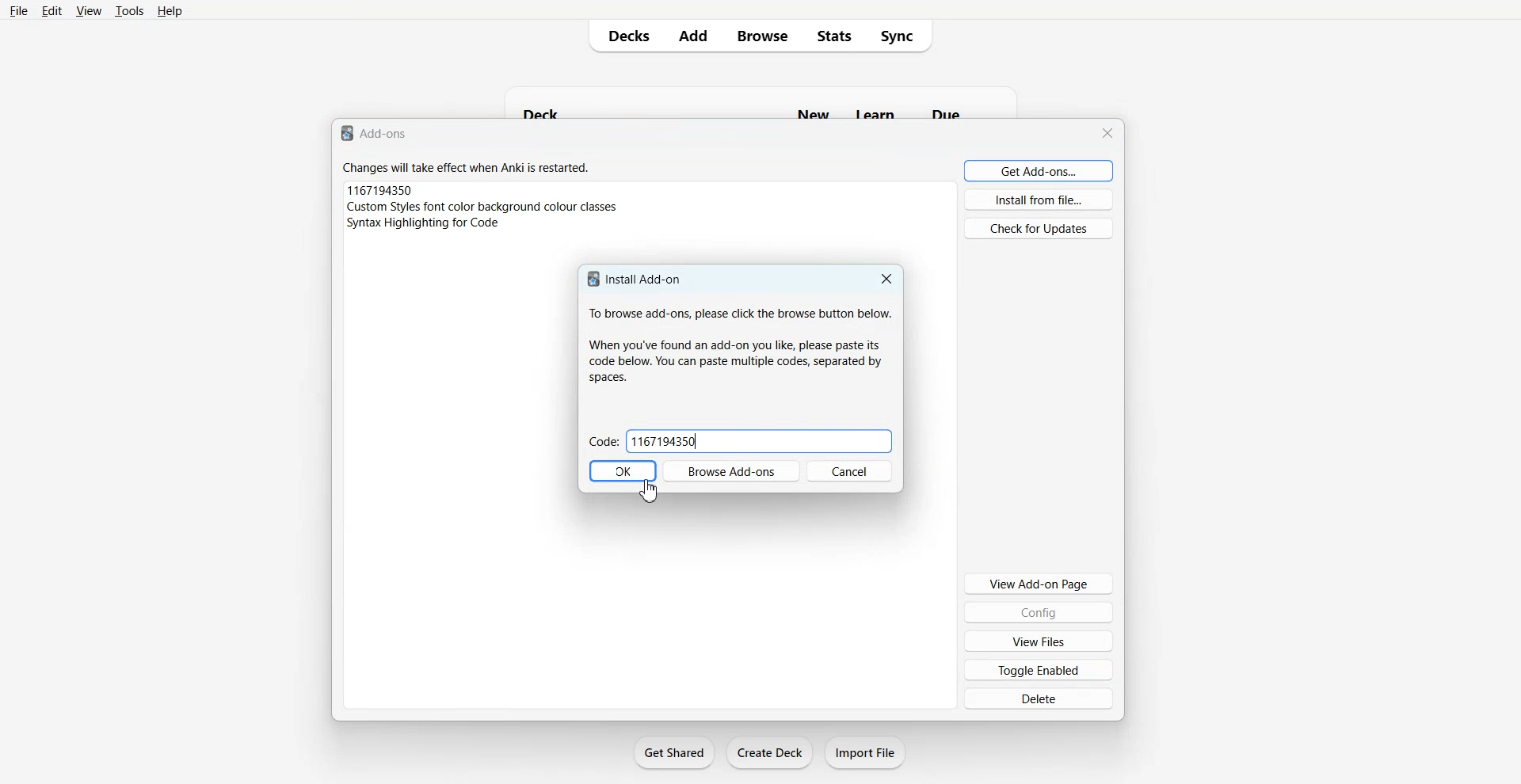  What do you see at coordinates (88, 11) in the screenshot?
I see `View` at bounding box center [88, 11].